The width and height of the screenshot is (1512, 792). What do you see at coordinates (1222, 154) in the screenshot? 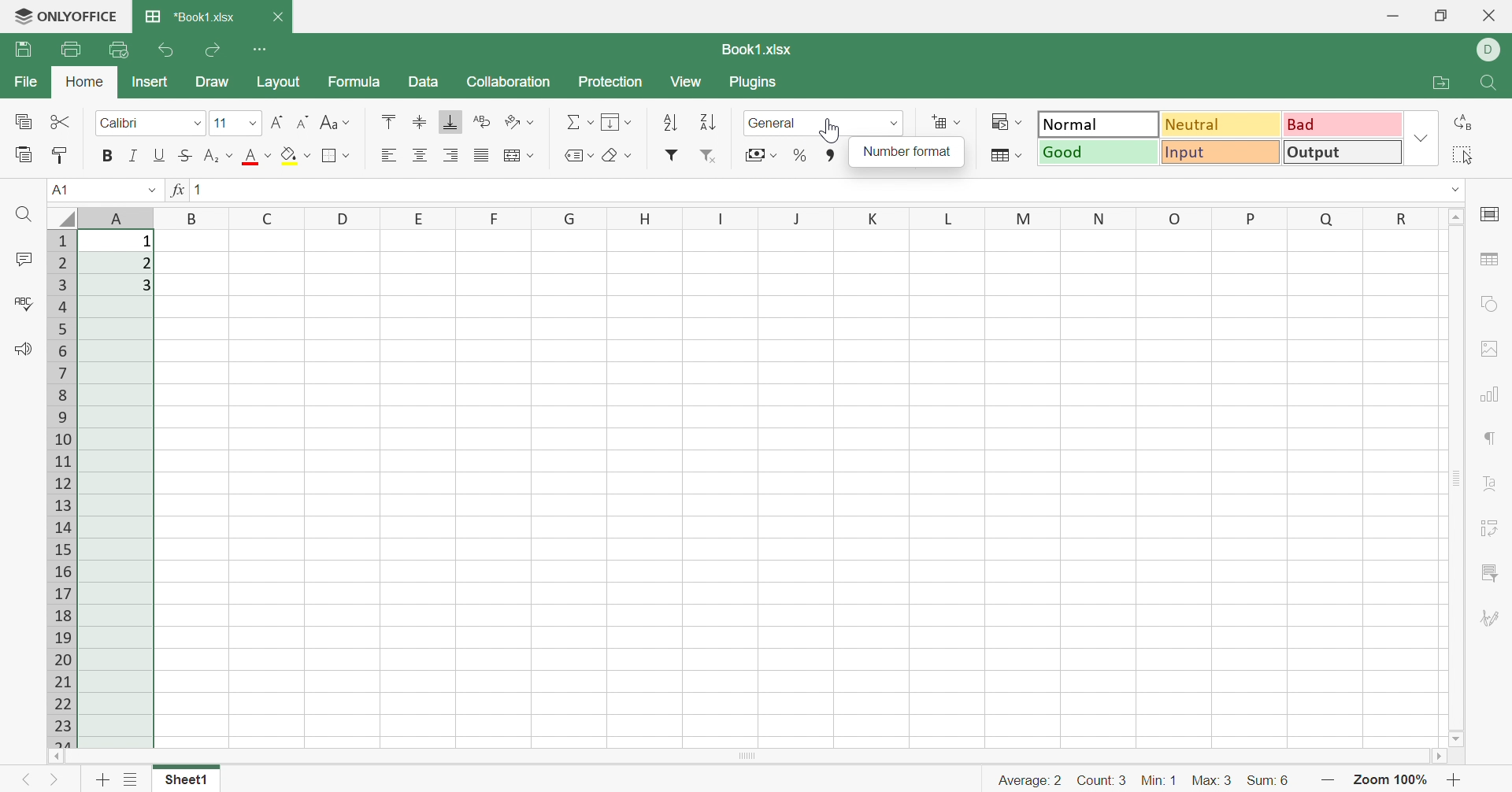
I see `Input` at bounding box center [1222, 154].